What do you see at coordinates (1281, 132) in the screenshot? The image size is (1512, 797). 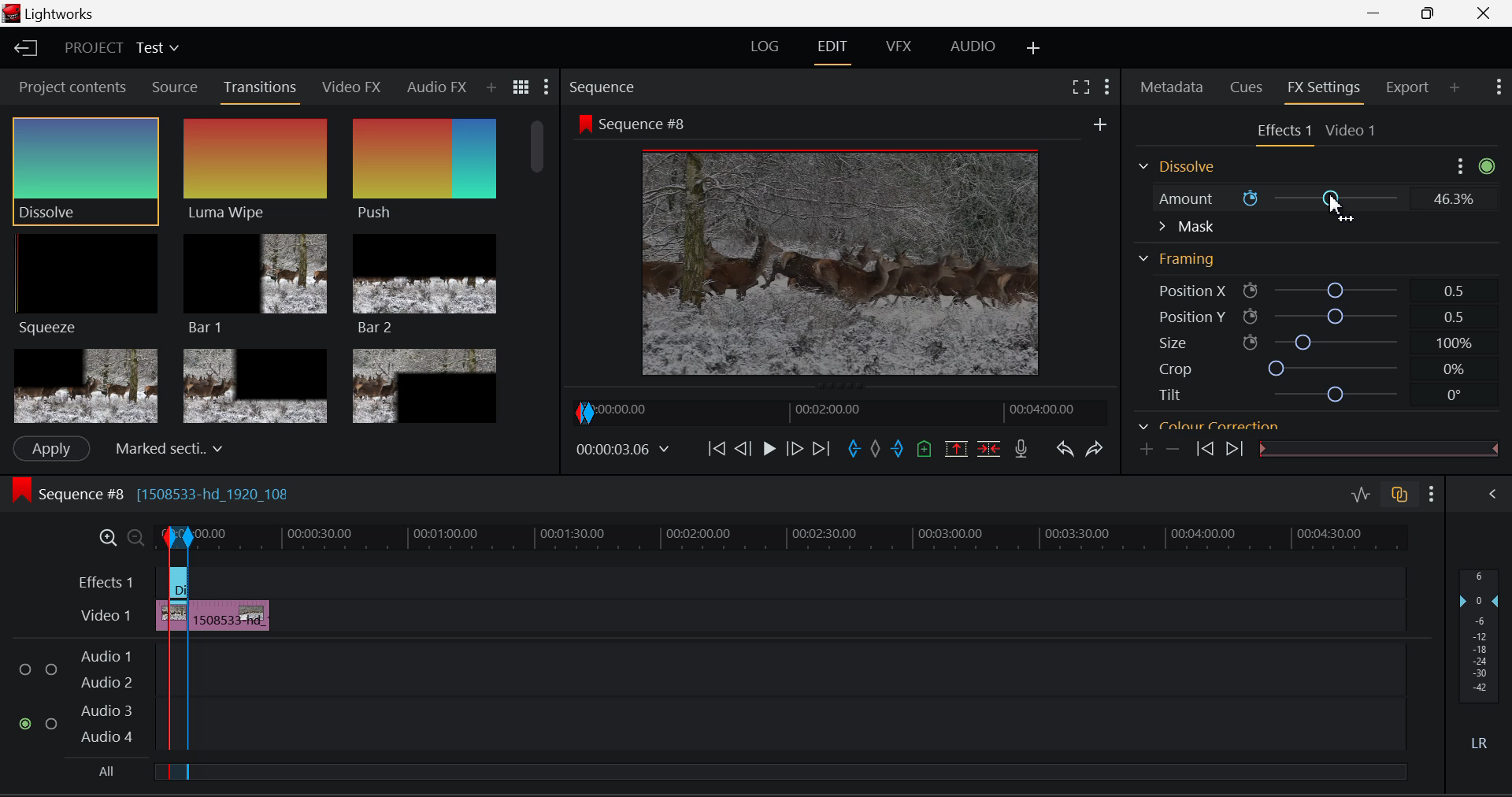 I see `Effects Settings` at bounding box center [1281, 132].